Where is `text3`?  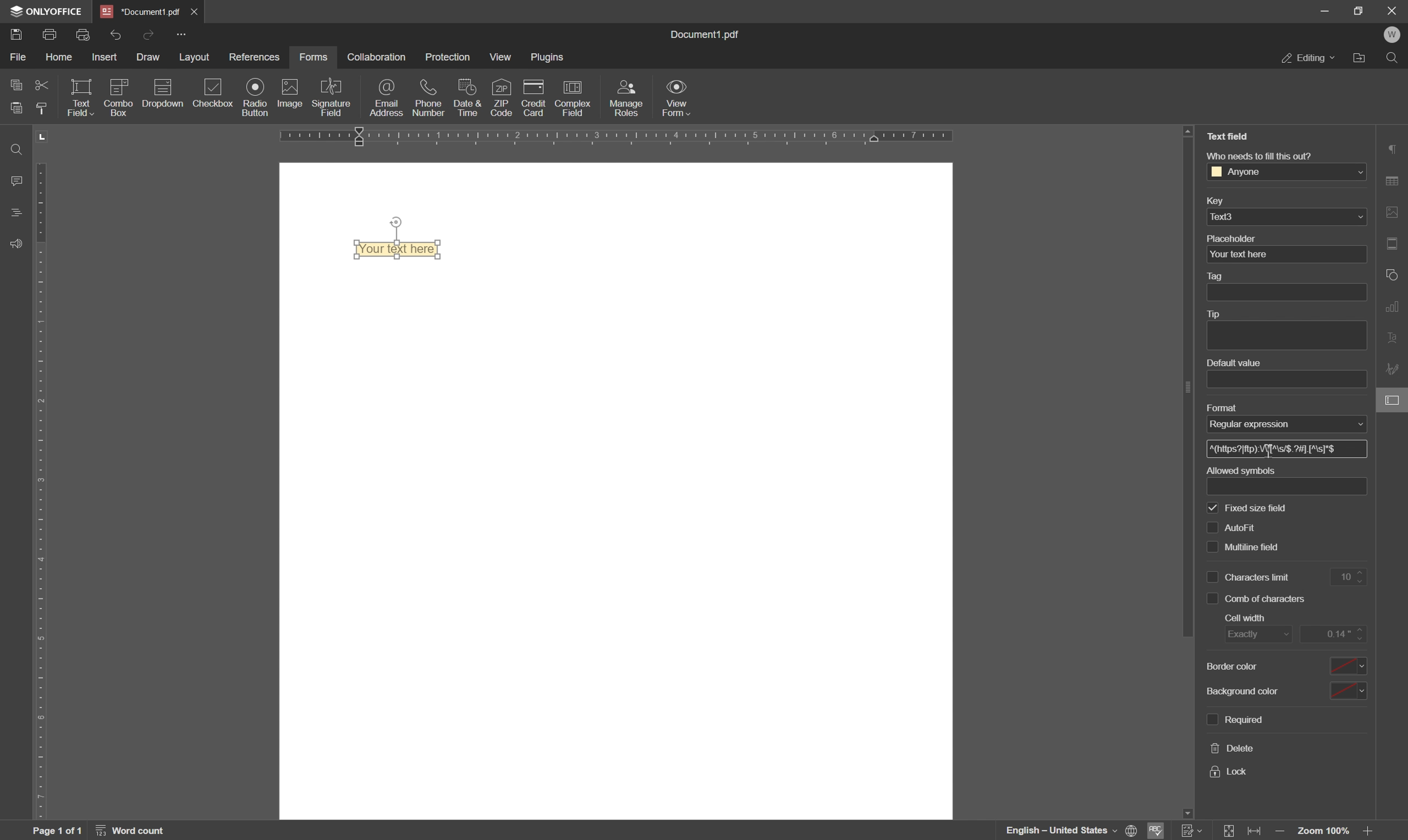 text3 is located at coordinates (1230, 216).